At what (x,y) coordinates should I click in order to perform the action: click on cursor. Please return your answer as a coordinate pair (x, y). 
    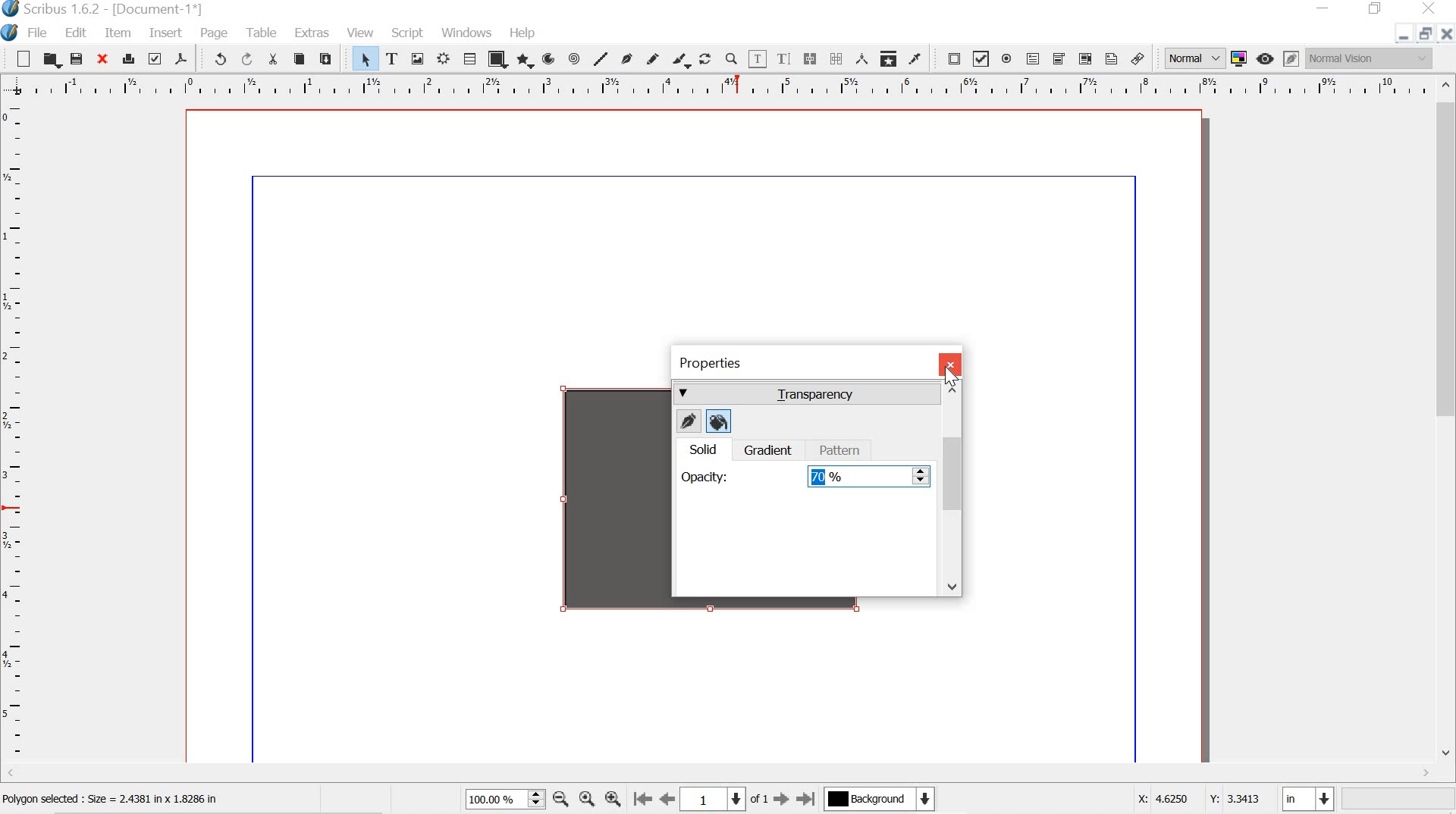
    Looking at the image, I should click on (949, 374).